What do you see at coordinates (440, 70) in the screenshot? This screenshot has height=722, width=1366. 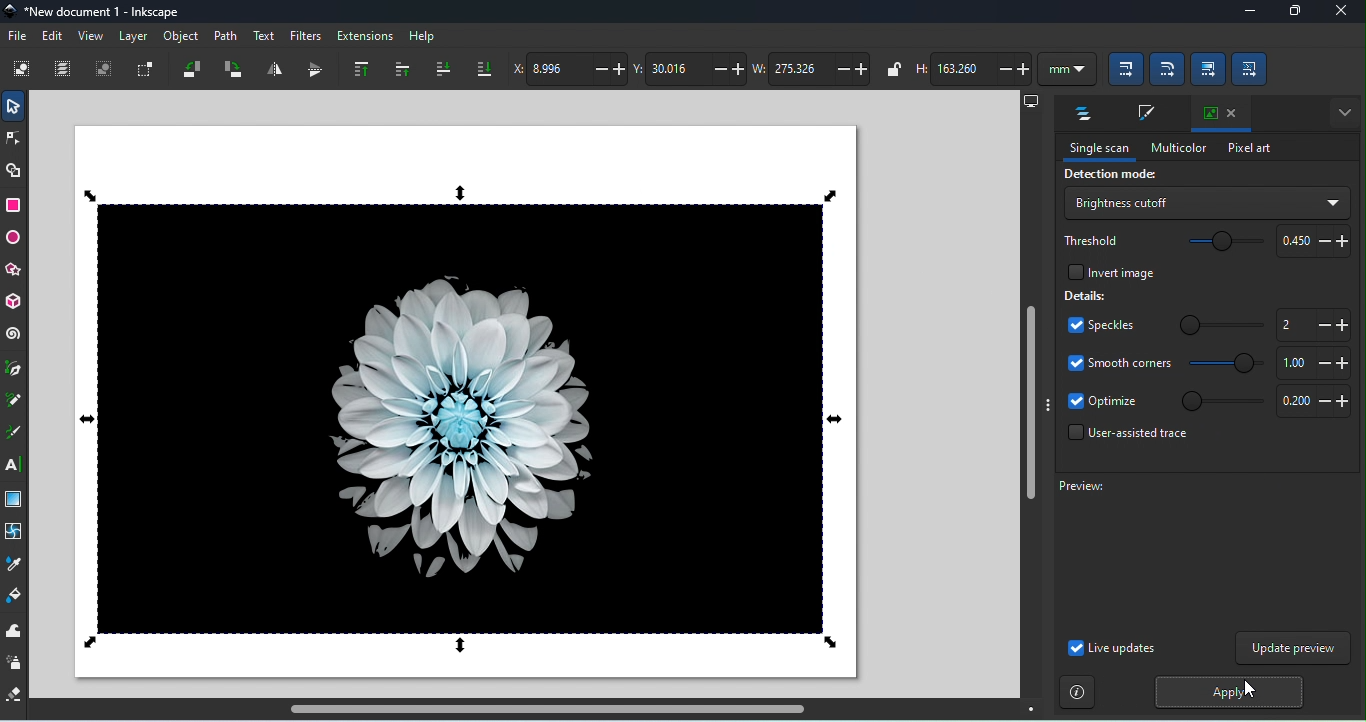 I see `lower selection one step` at bounding box center [440, 70].